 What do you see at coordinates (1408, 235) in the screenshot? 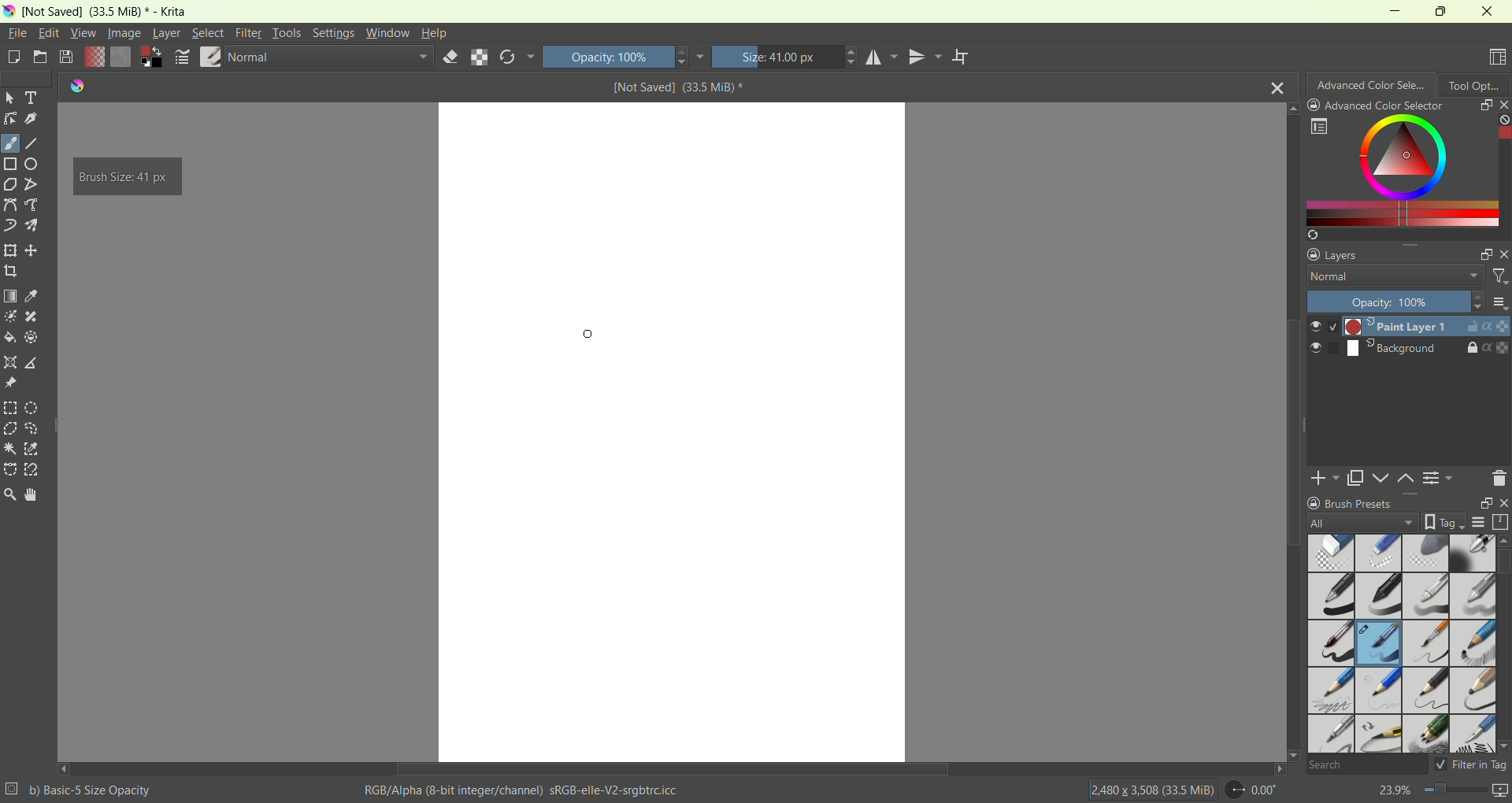
I see `create a list of colors` at bounding box center [1408, 235].